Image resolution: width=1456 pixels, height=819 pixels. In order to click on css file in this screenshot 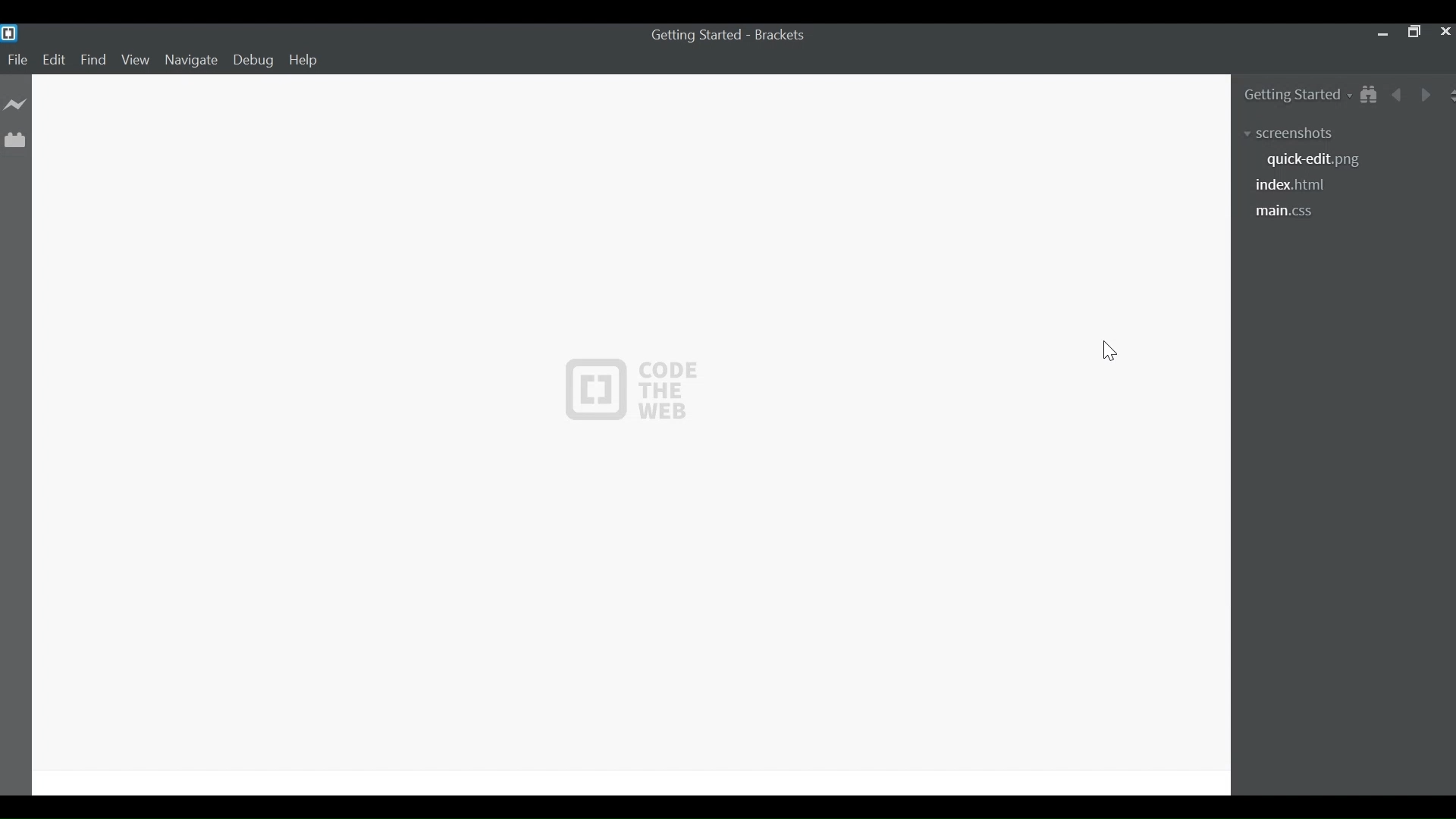, I will do `click(1288, 212)`.